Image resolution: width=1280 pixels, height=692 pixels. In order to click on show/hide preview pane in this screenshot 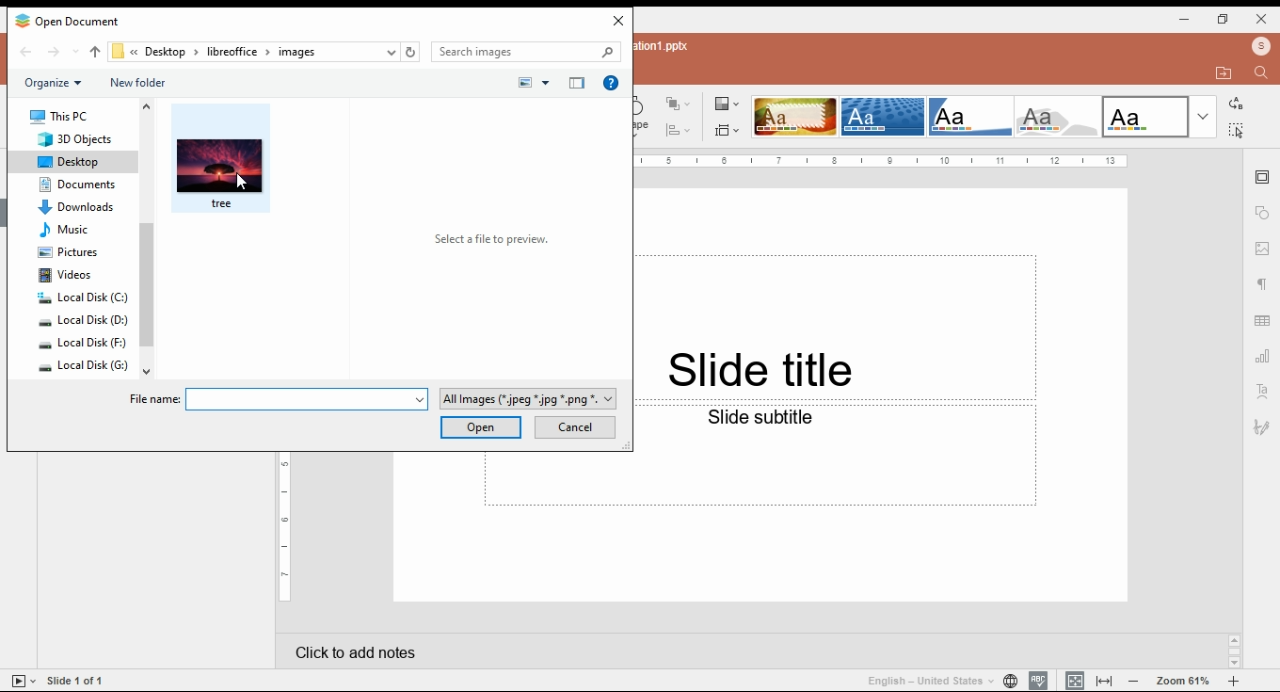, I will do `click(577, 83)`.